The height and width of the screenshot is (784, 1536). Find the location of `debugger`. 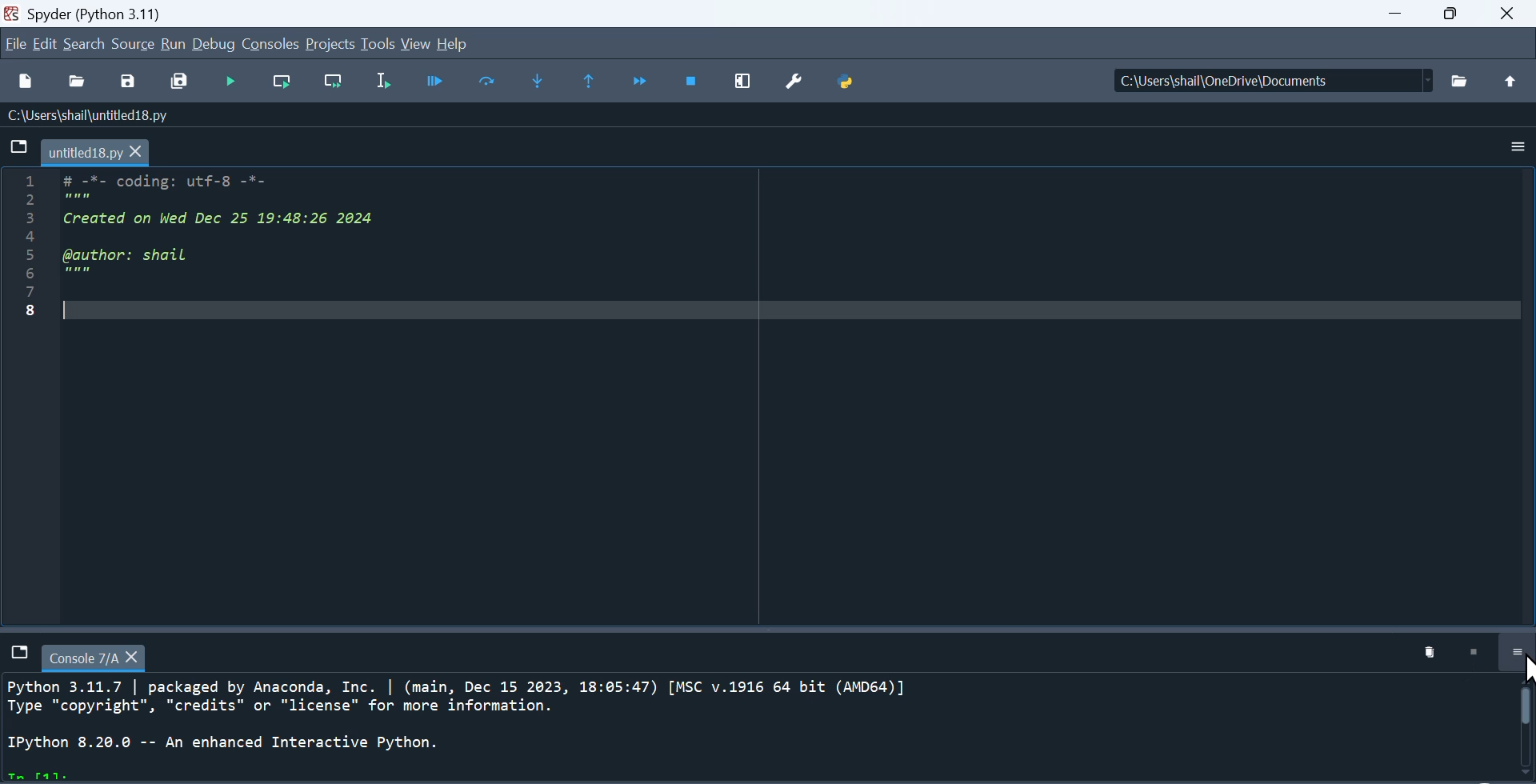

debugger is located at coordinates (434, 82).